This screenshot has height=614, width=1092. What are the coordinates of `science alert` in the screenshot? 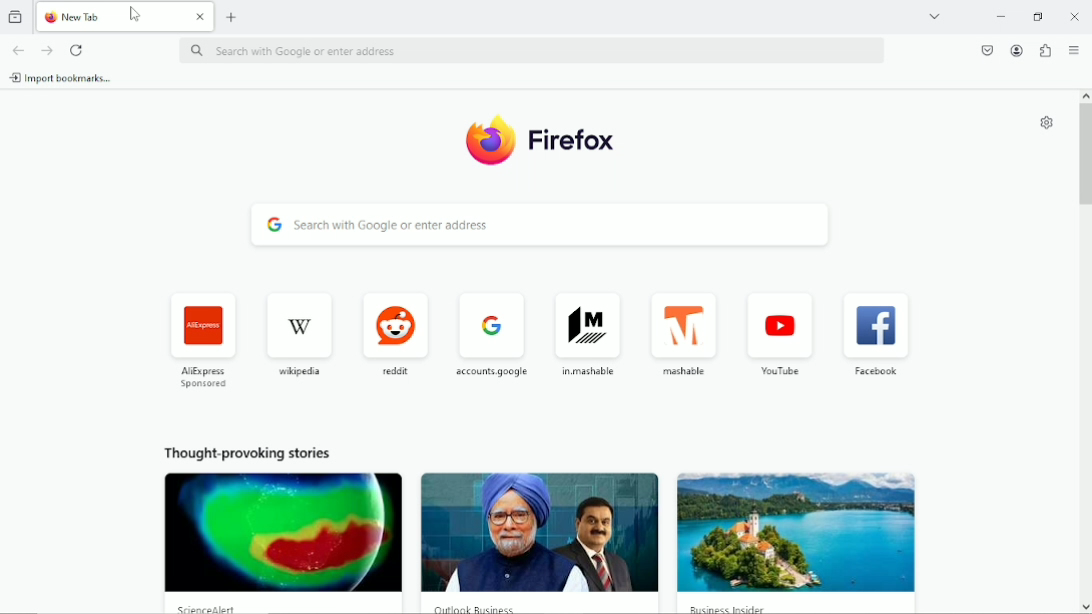 It's located at (210, 609).